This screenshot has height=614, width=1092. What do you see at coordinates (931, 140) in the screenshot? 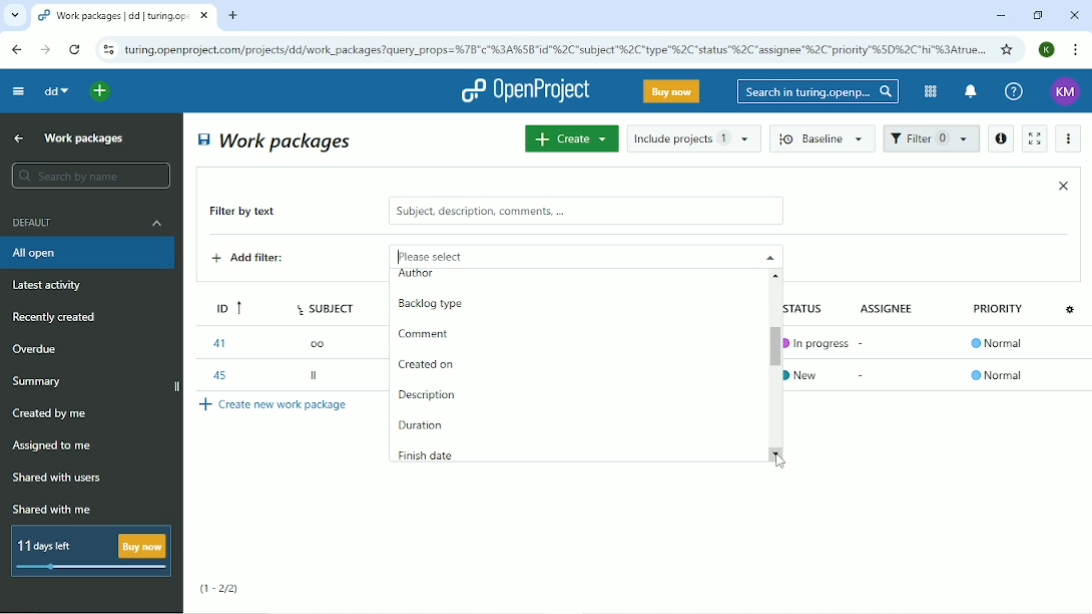
I see `Filter 1` at bounding box center [931, 140].